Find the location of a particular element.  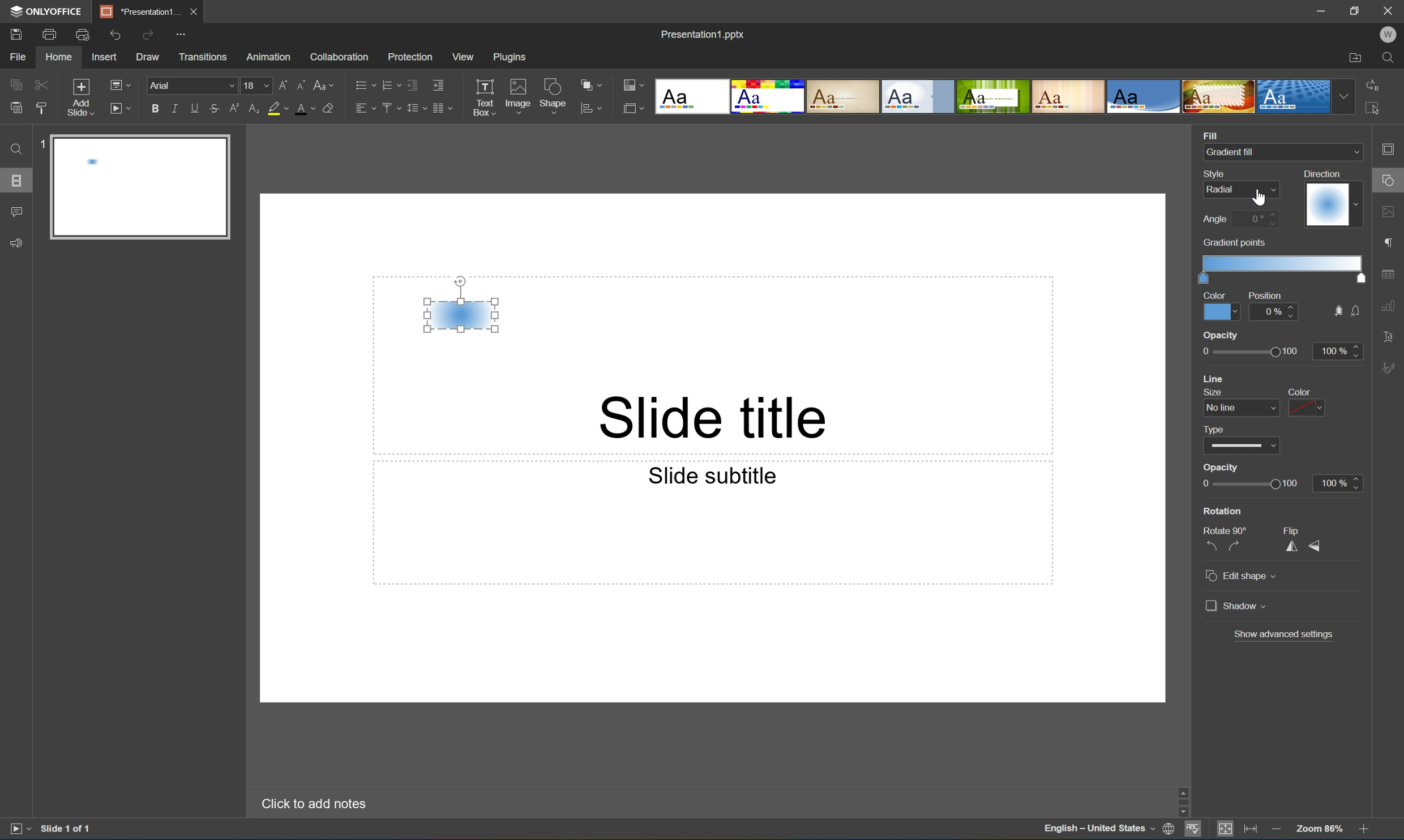

Slides is located at coordinates (19, 181).